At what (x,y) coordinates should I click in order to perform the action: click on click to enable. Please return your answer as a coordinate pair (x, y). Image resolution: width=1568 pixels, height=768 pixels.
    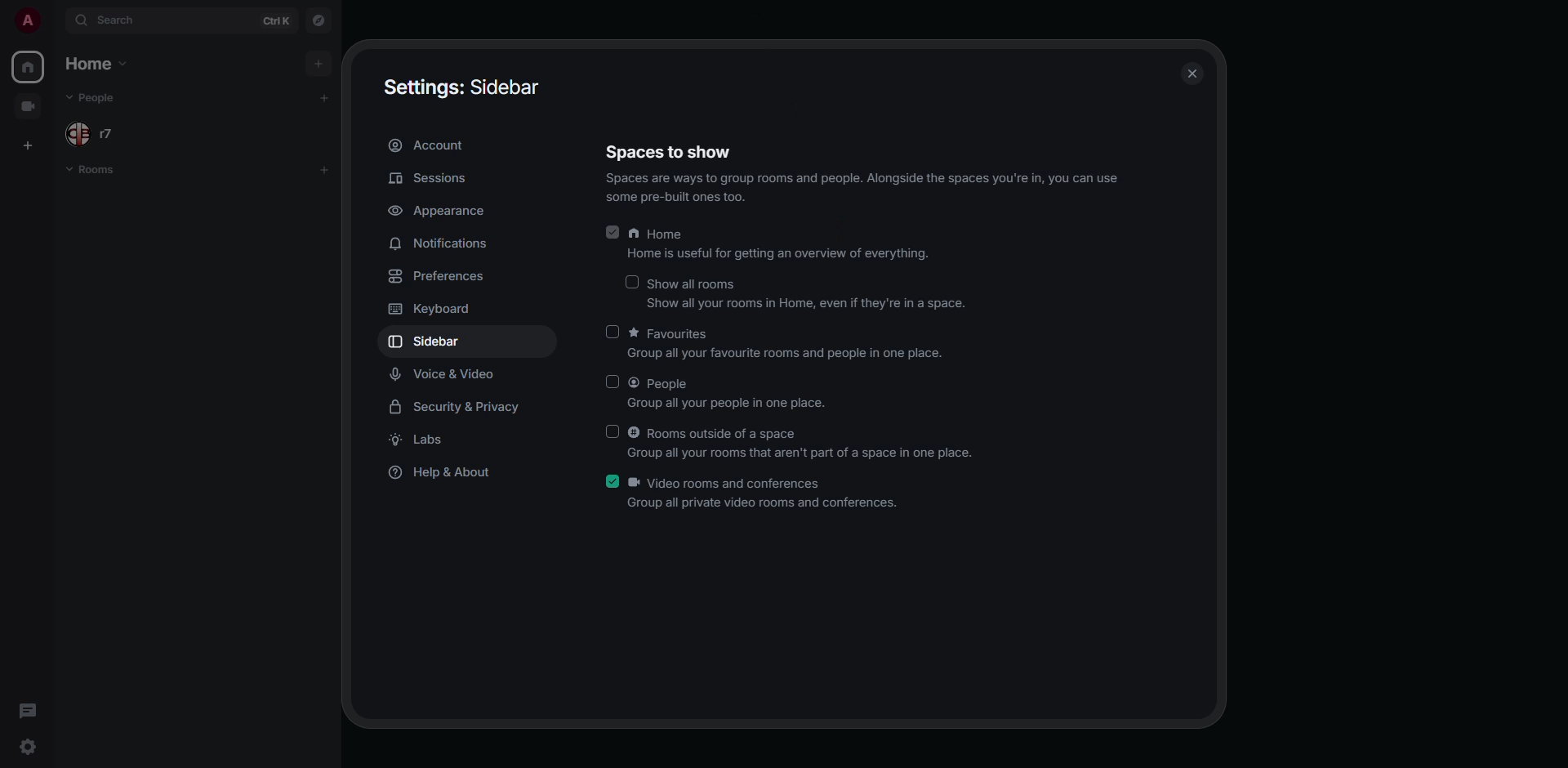
    Looking at the image, I should click on (614, 330).